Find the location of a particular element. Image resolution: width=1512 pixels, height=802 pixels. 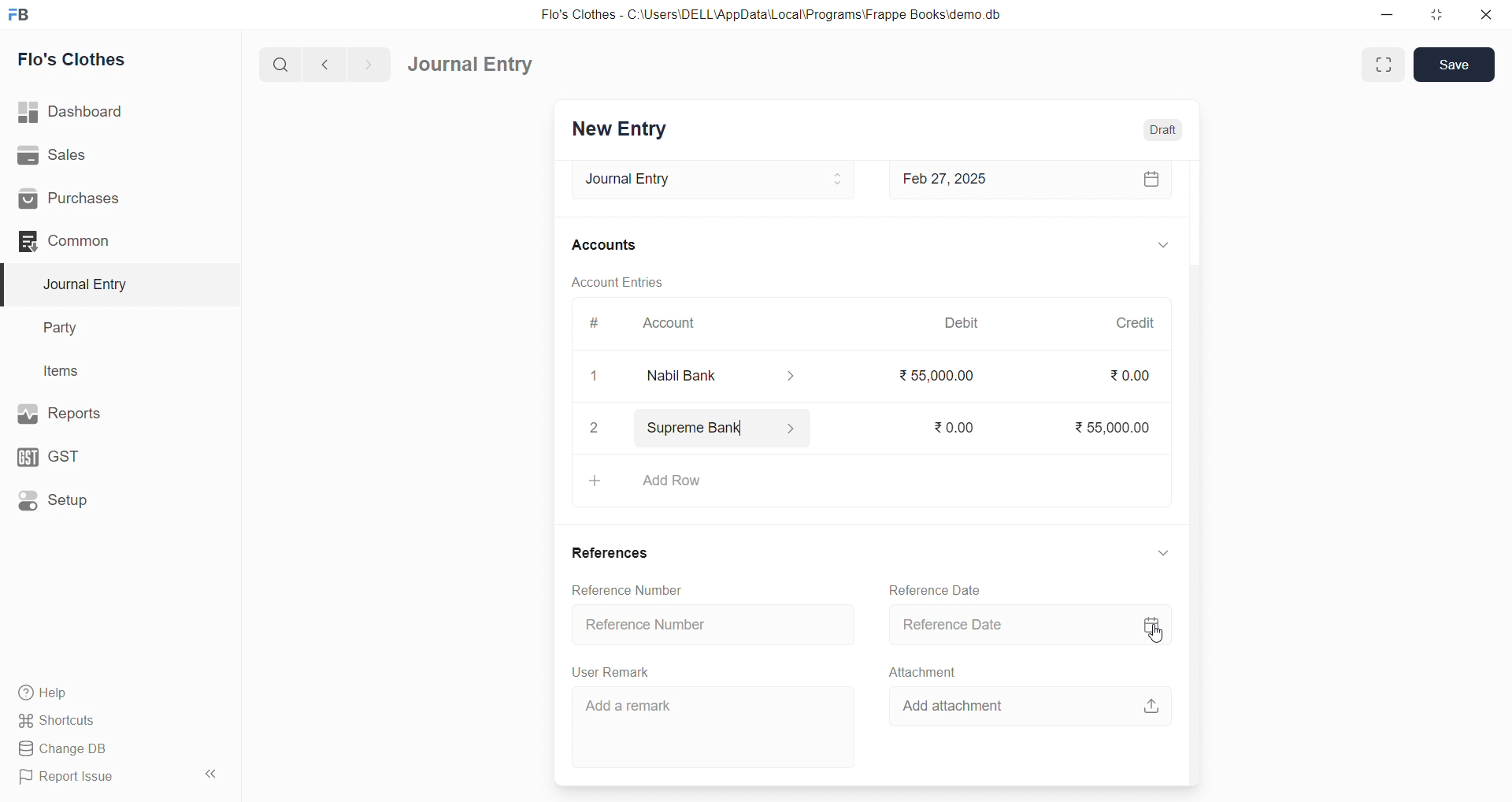

₹0.00 is located at coordinates (949, 426).